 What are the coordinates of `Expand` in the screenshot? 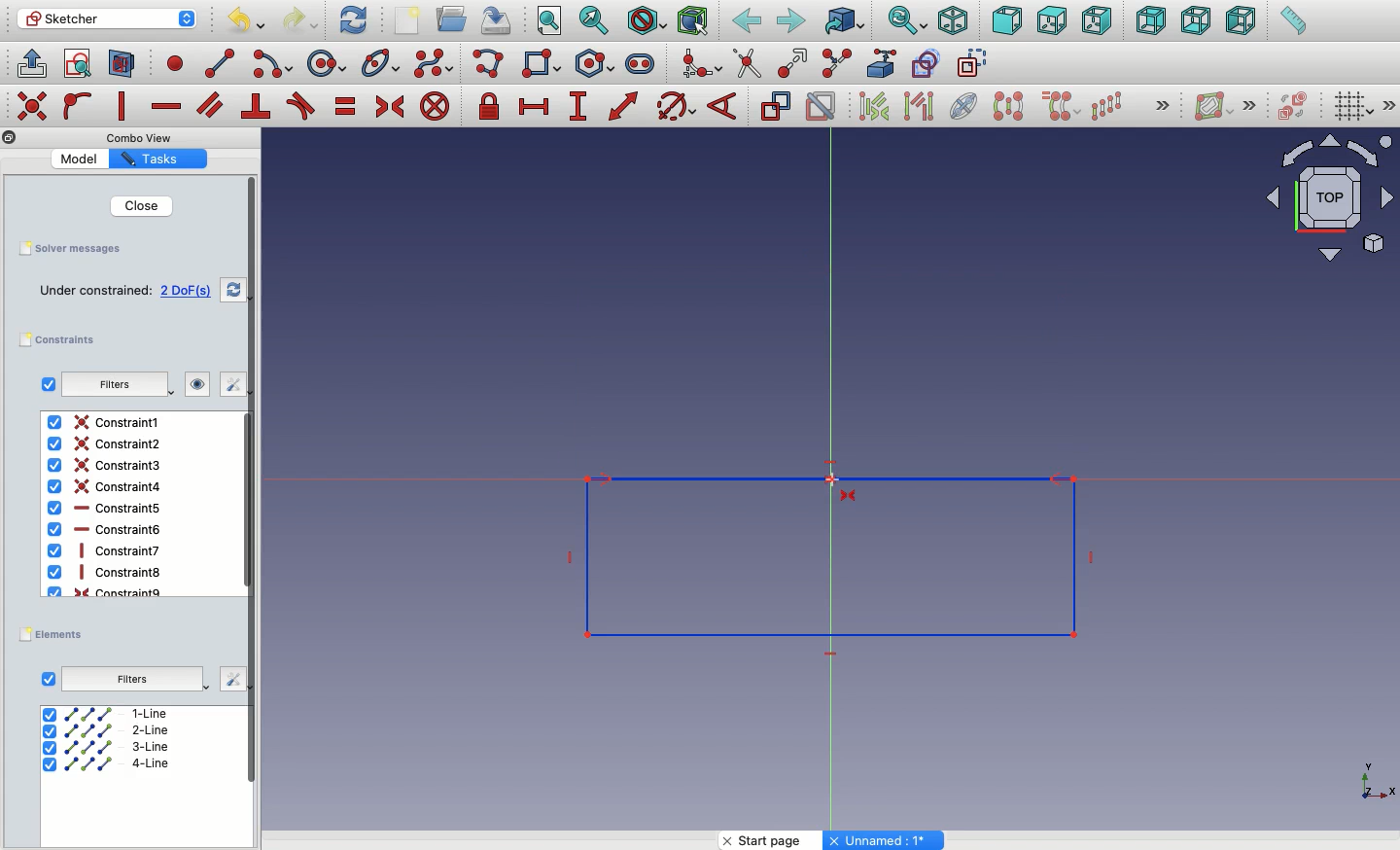 It's located at (1390, 105).